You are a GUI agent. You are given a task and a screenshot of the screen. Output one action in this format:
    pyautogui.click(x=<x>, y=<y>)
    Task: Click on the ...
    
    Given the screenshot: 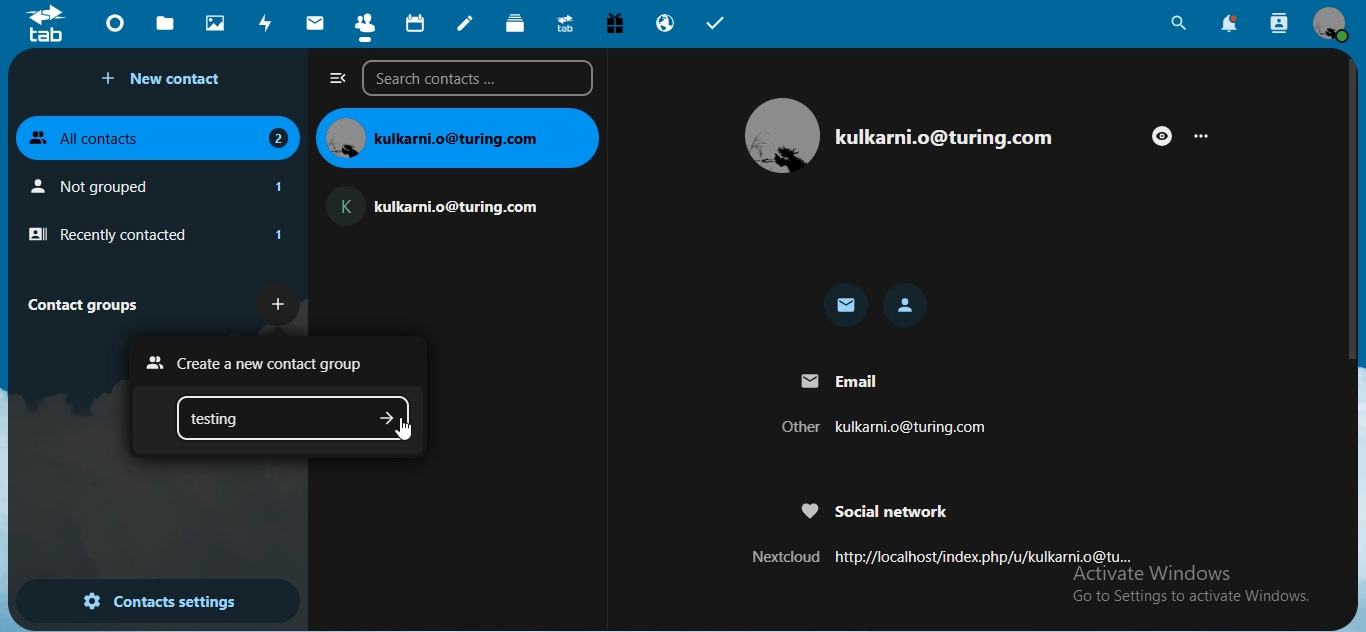 What is the action you would take?
    pyautogui.click(x=1206, y=137)
    